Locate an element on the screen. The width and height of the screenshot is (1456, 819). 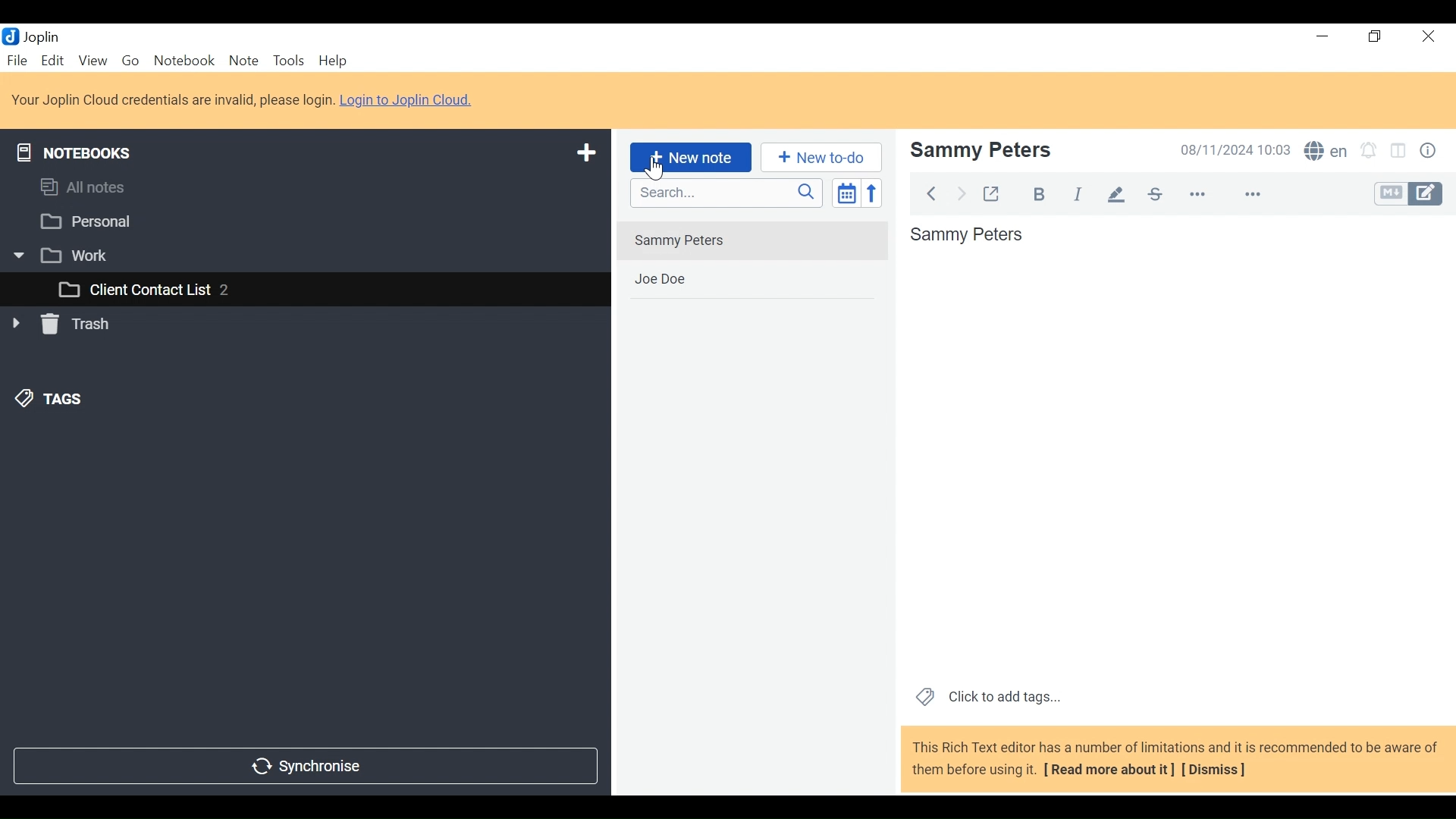
08/11/2024 10:03 is located at coordinates (1235, 149).